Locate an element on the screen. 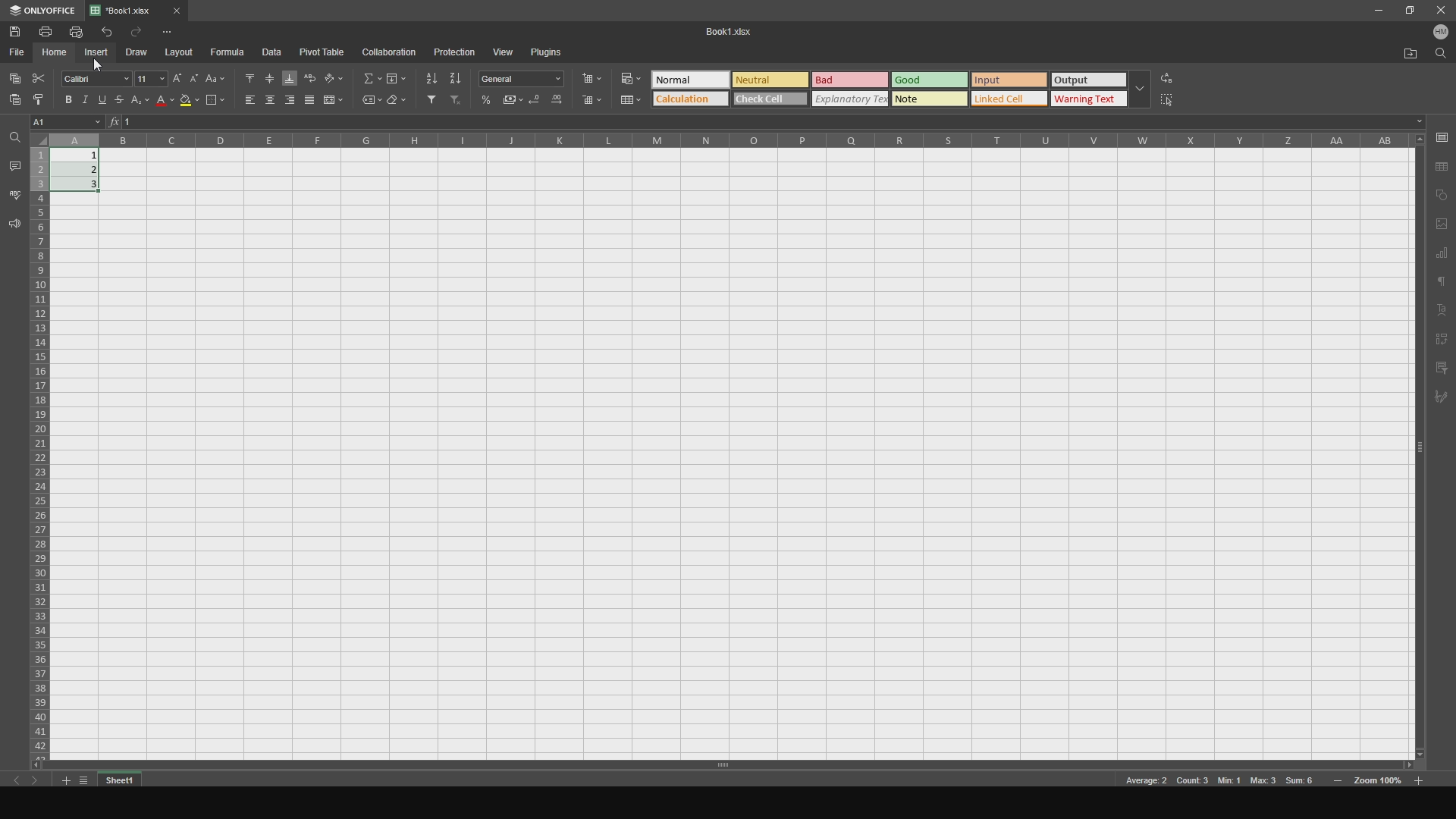 The image size is (1456, 819).  is located at coordinates (556, 102).